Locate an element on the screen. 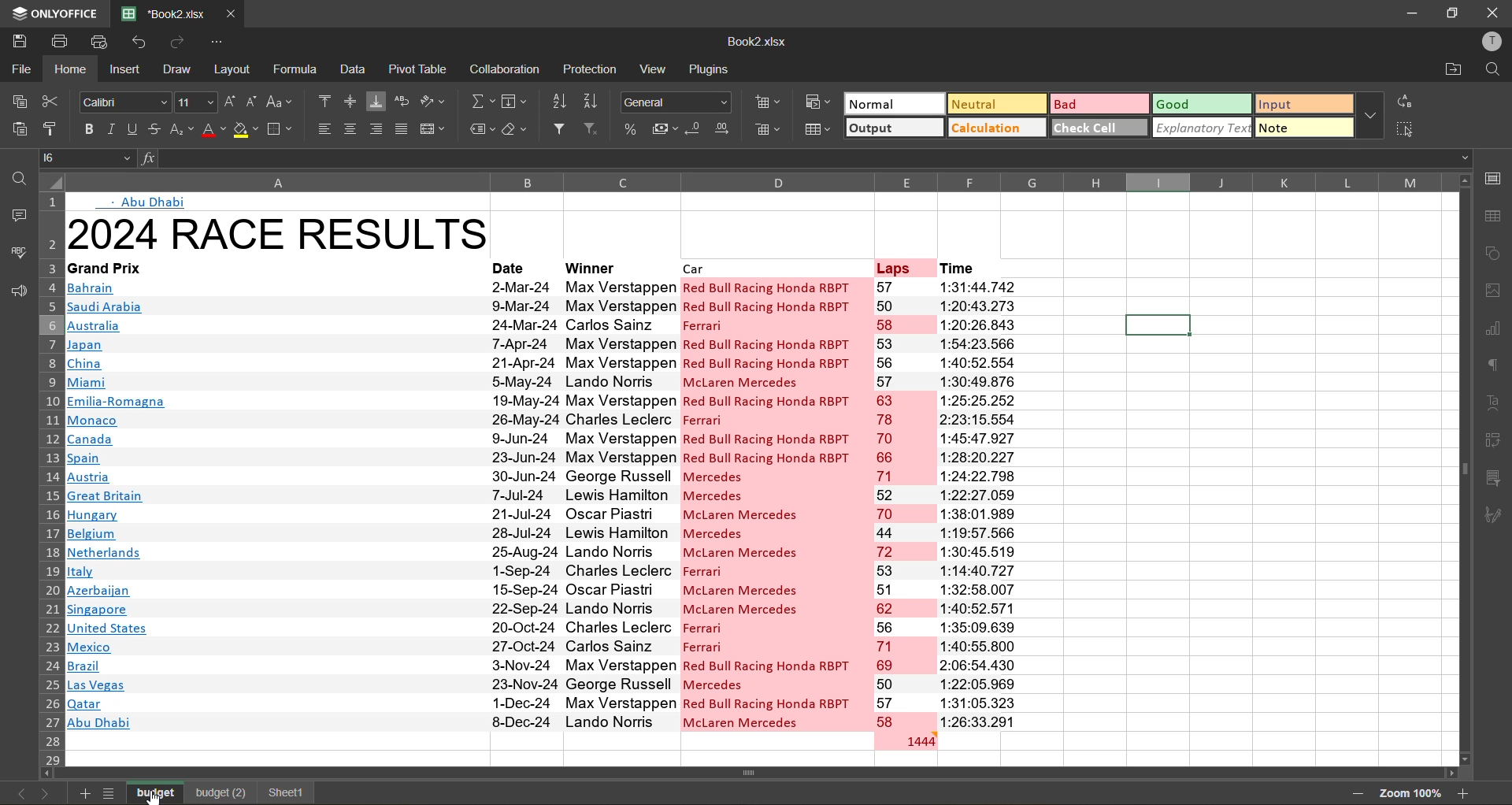  input is located at coordinates (1299, 106).